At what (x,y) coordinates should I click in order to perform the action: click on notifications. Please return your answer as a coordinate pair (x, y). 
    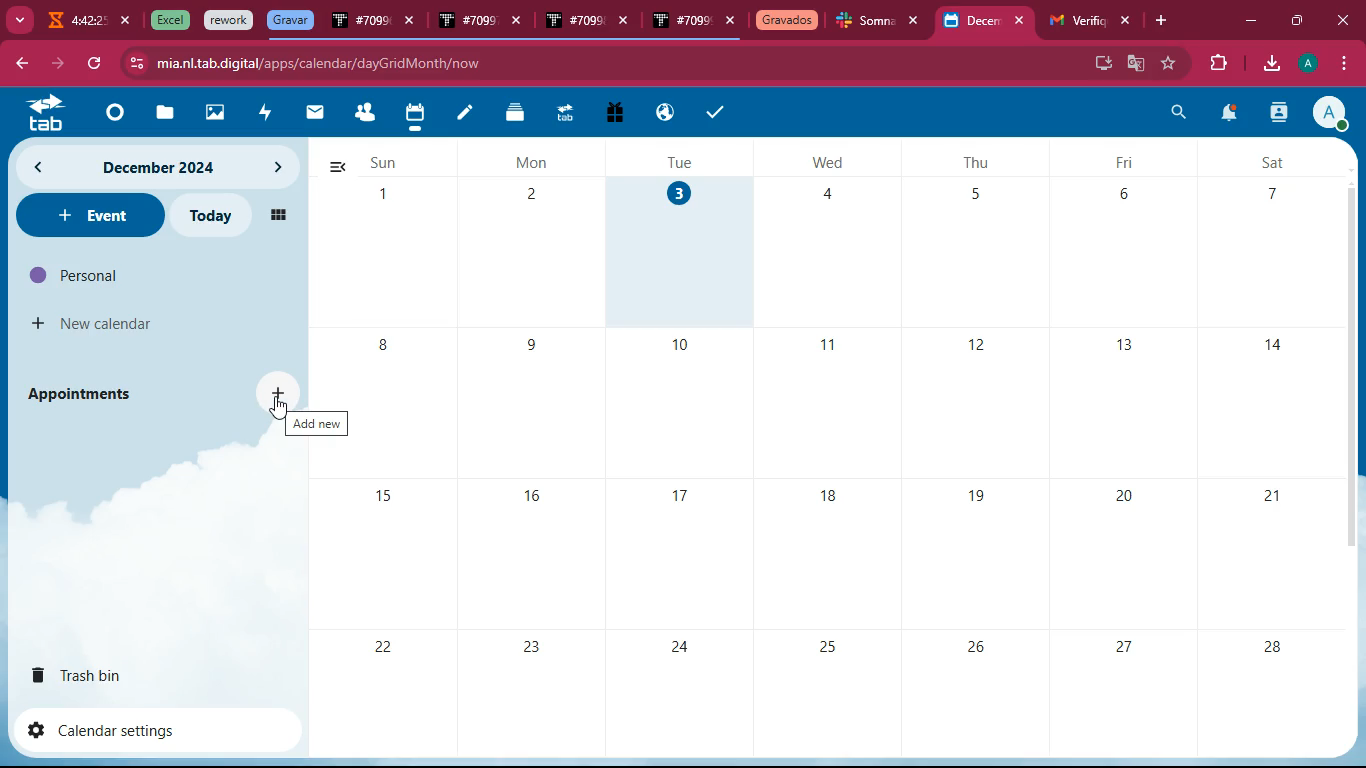
    Looking at the image, I should click on (1227, 116).